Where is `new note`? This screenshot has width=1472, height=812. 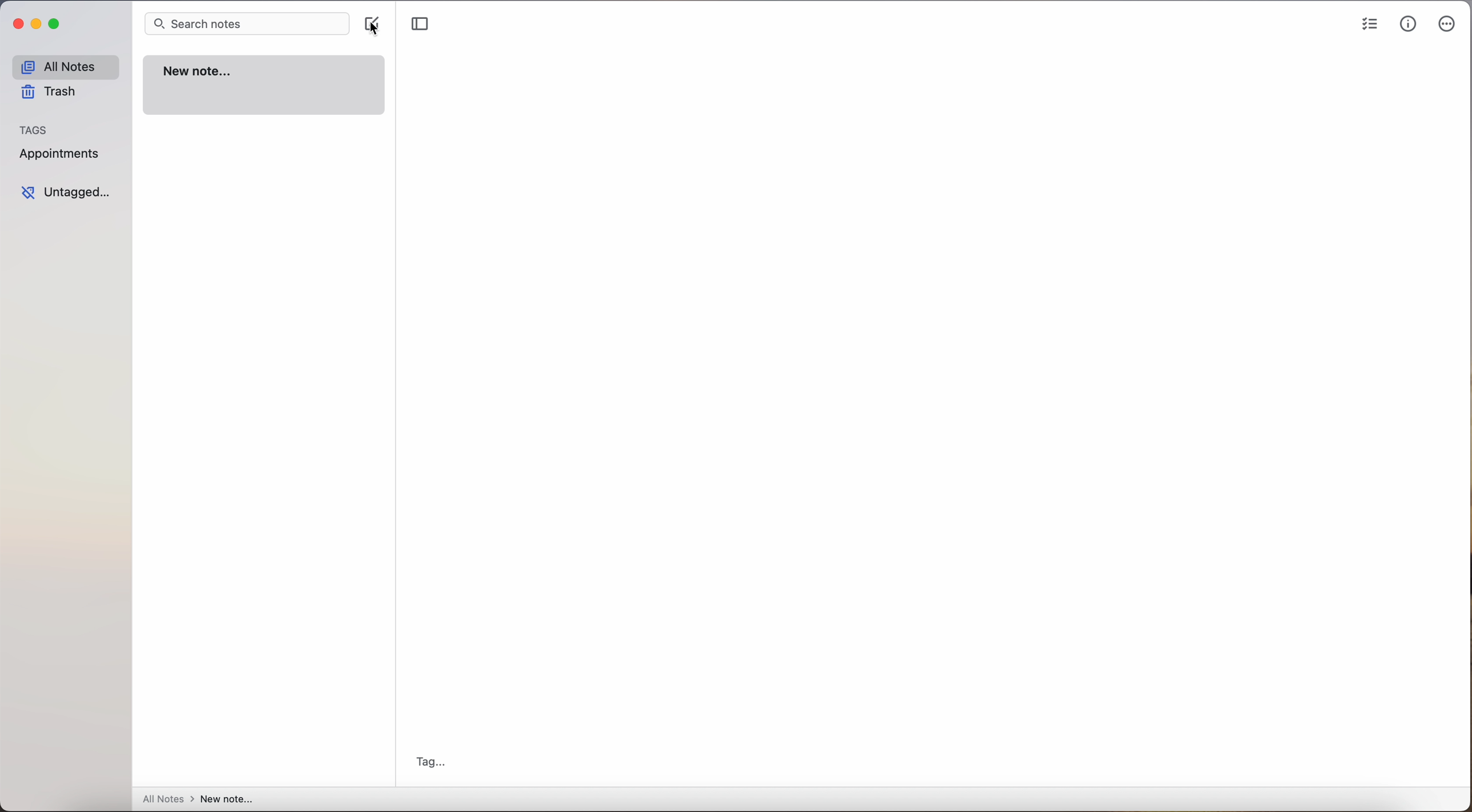 new note is located at coordinates (266, 85).